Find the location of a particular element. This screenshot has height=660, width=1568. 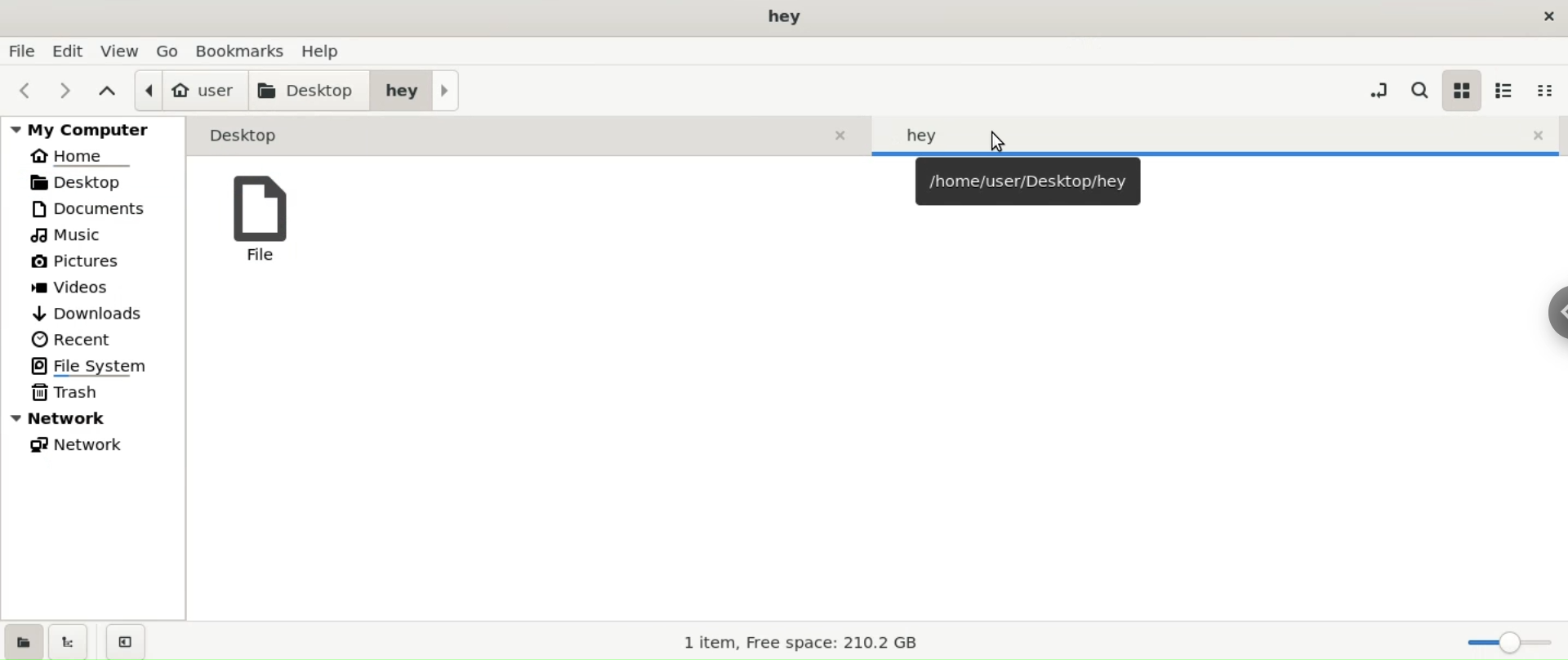

desktop is located at coordinates (529, 136).